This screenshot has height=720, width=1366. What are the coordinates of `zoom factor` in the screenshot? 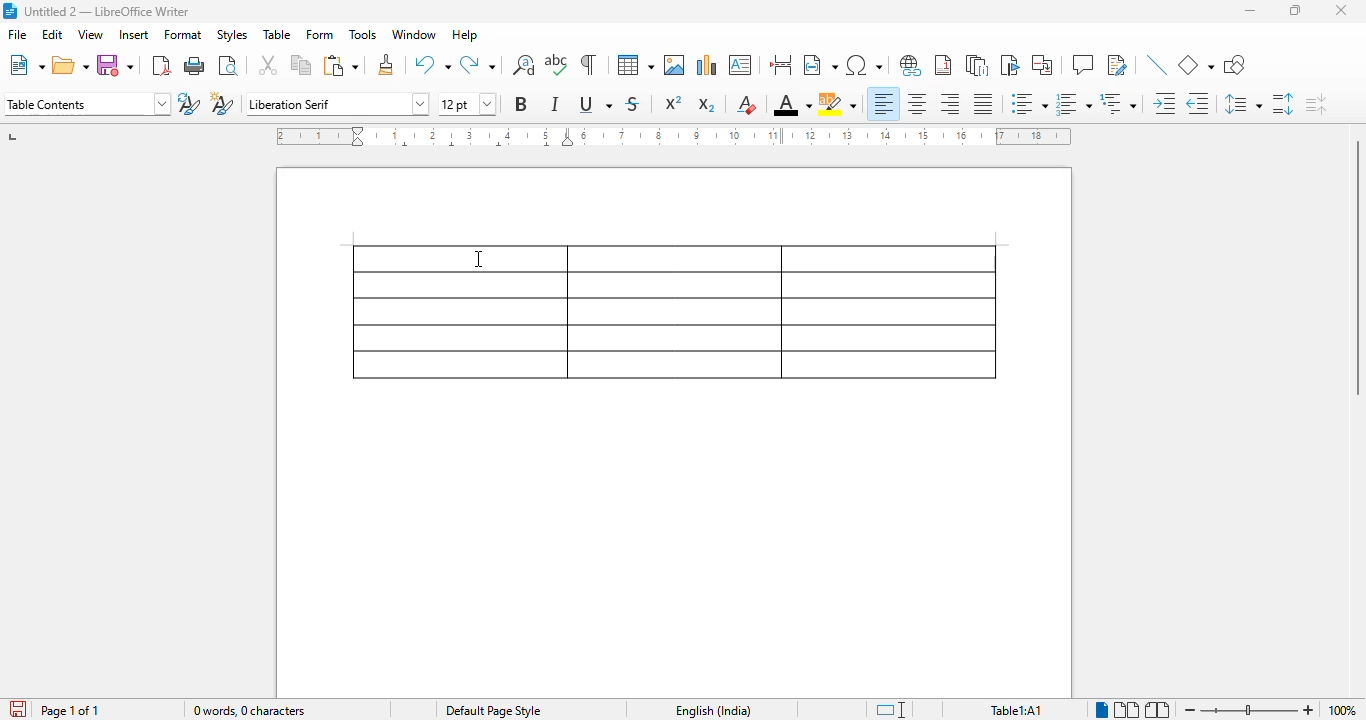 It's located at (1341, 710).